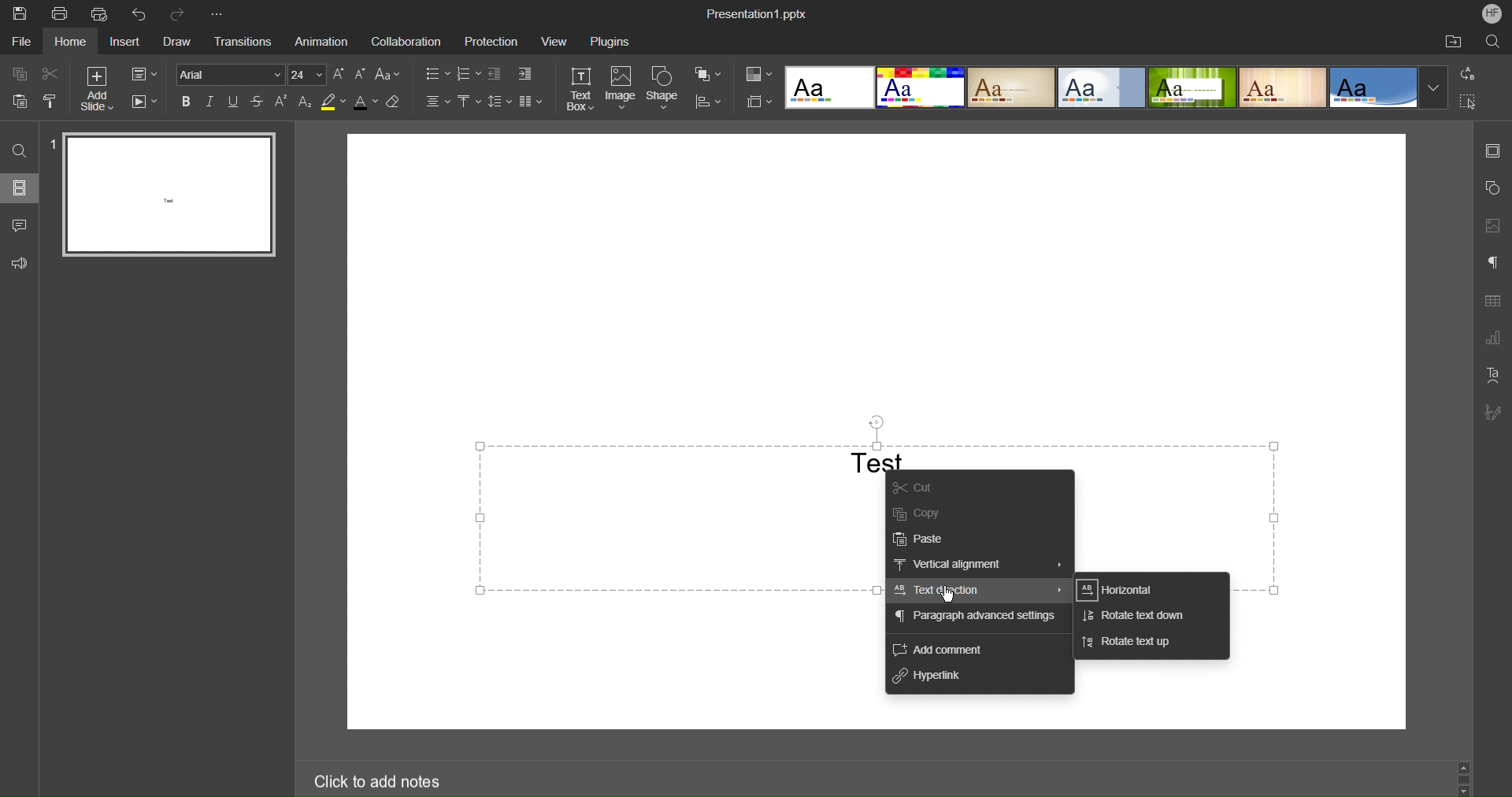 Image resolution: width=1512 pixels, height=797 pixels. I want to click on Rotate text up, so click(1127, 643).